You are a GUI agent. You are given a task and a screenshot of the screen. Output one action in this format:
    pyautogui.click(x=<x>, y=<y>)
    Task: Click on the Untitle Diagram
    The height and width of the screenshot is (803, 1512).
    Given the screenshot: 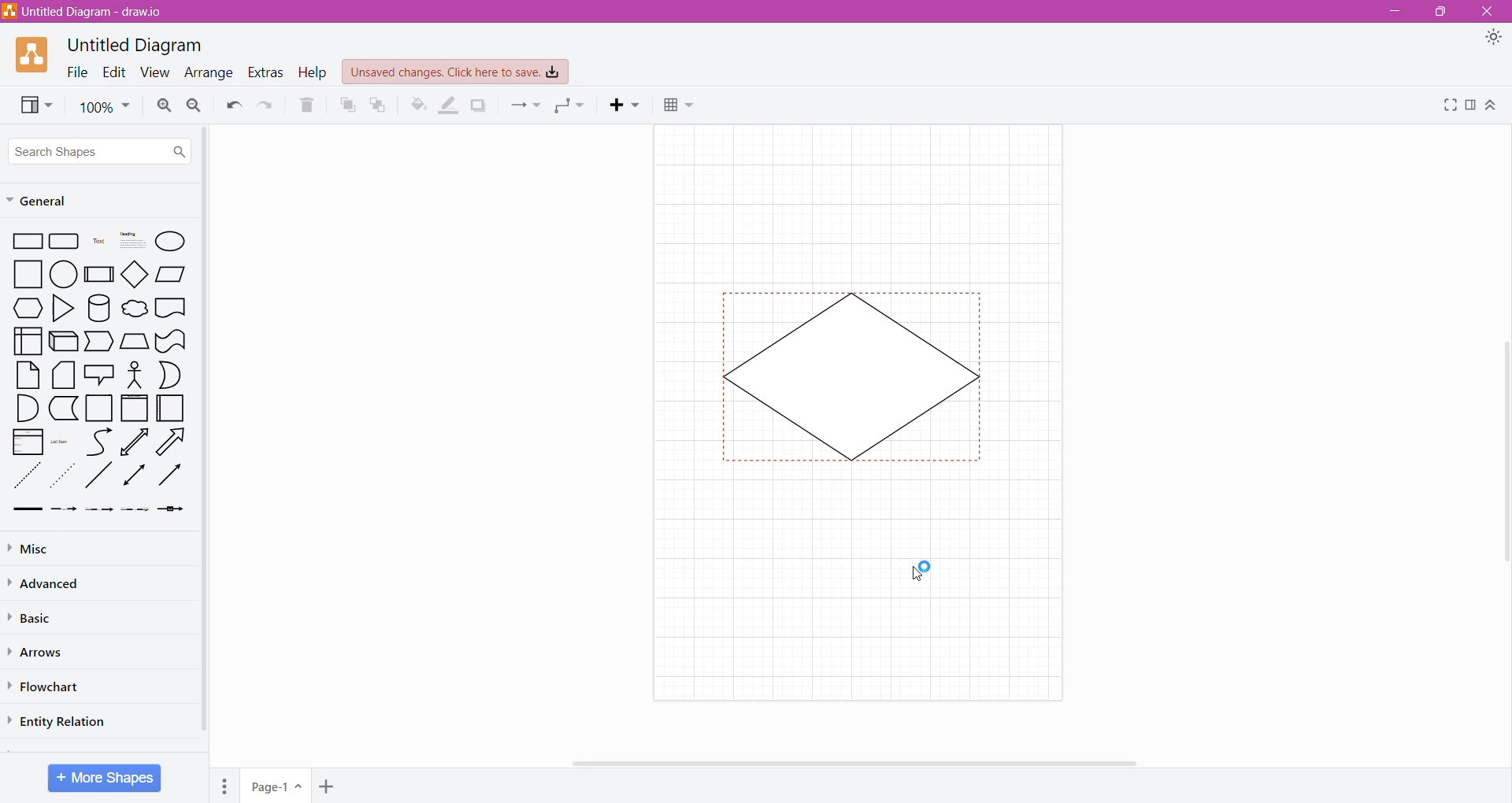 What is the action you would take?
    pyautogui.click(x=138, y=46)
    